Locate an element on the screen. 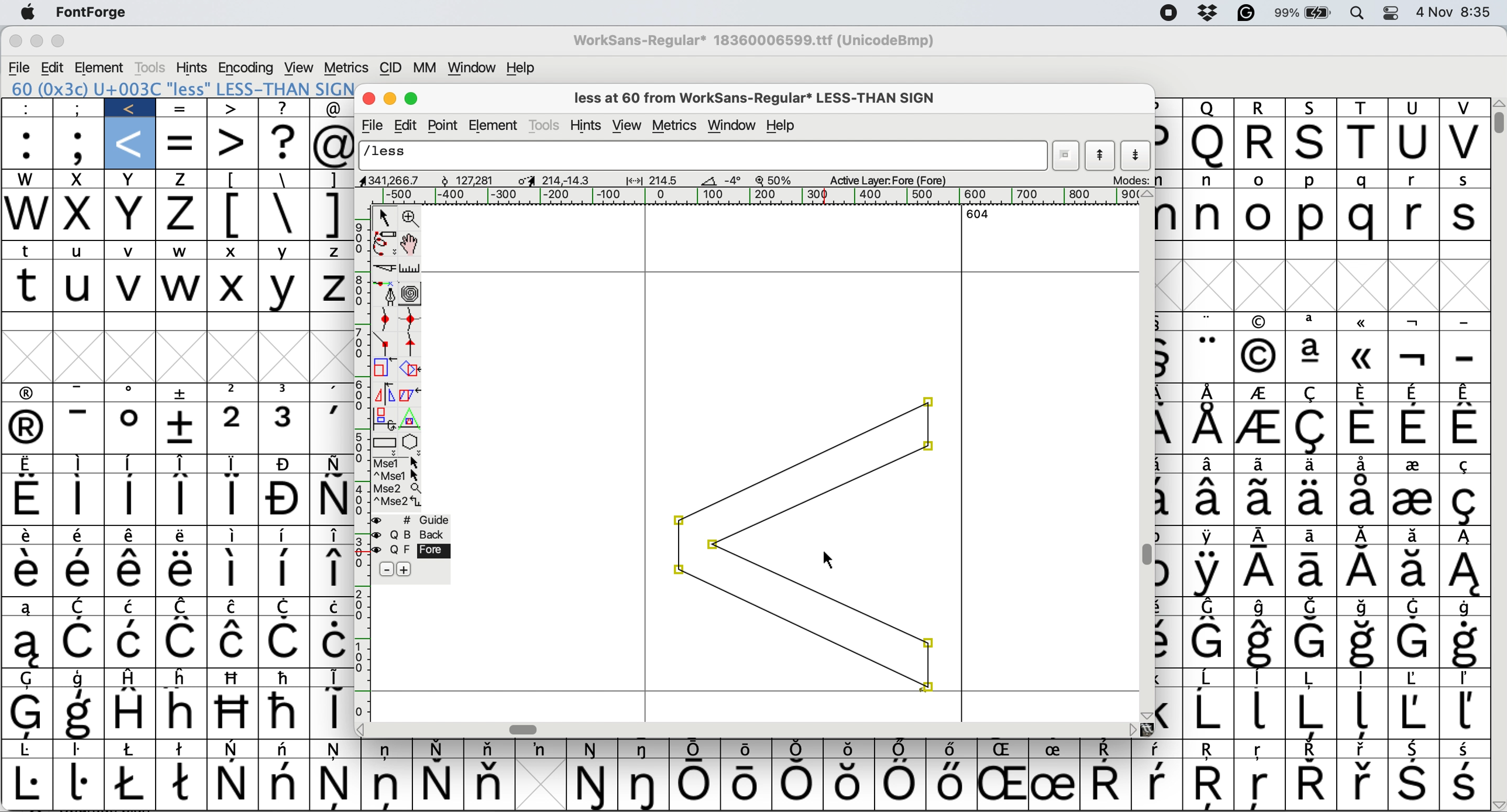  q is located at coordinates (1208, 108).